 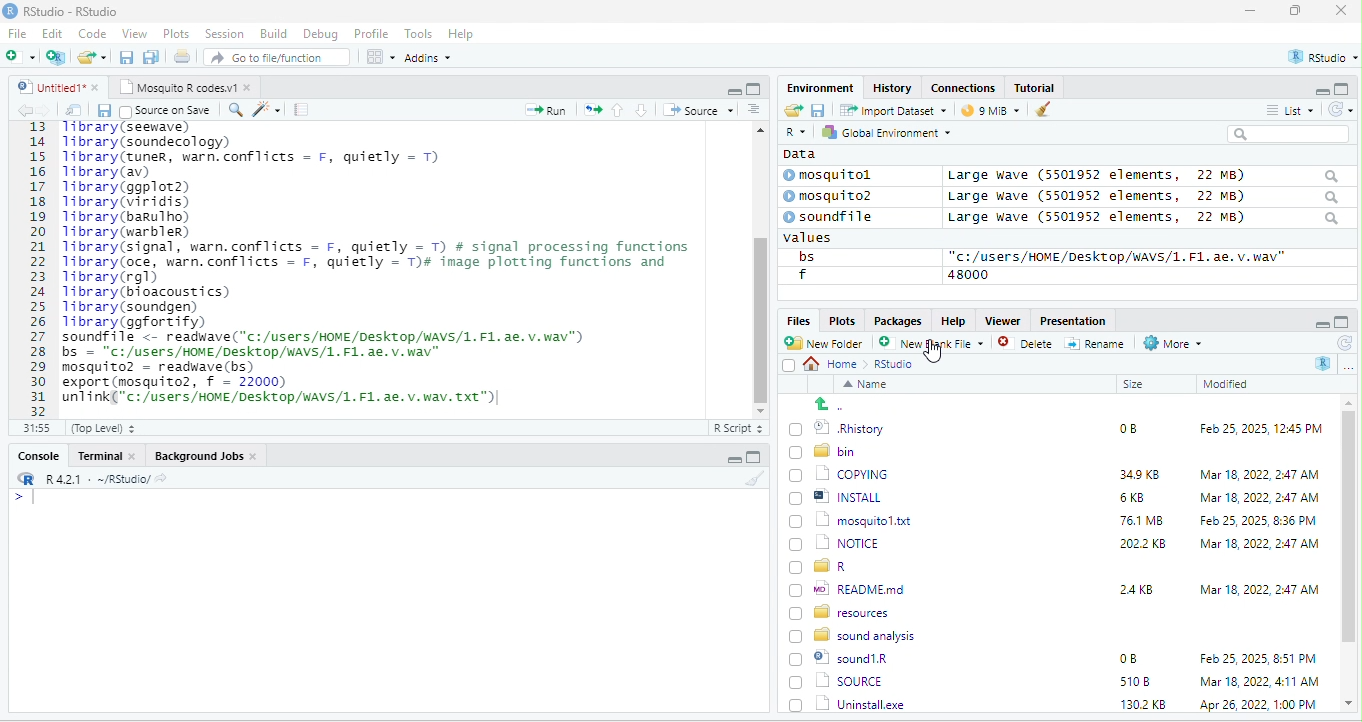 I want to click on f, so click(x=802, y=275).